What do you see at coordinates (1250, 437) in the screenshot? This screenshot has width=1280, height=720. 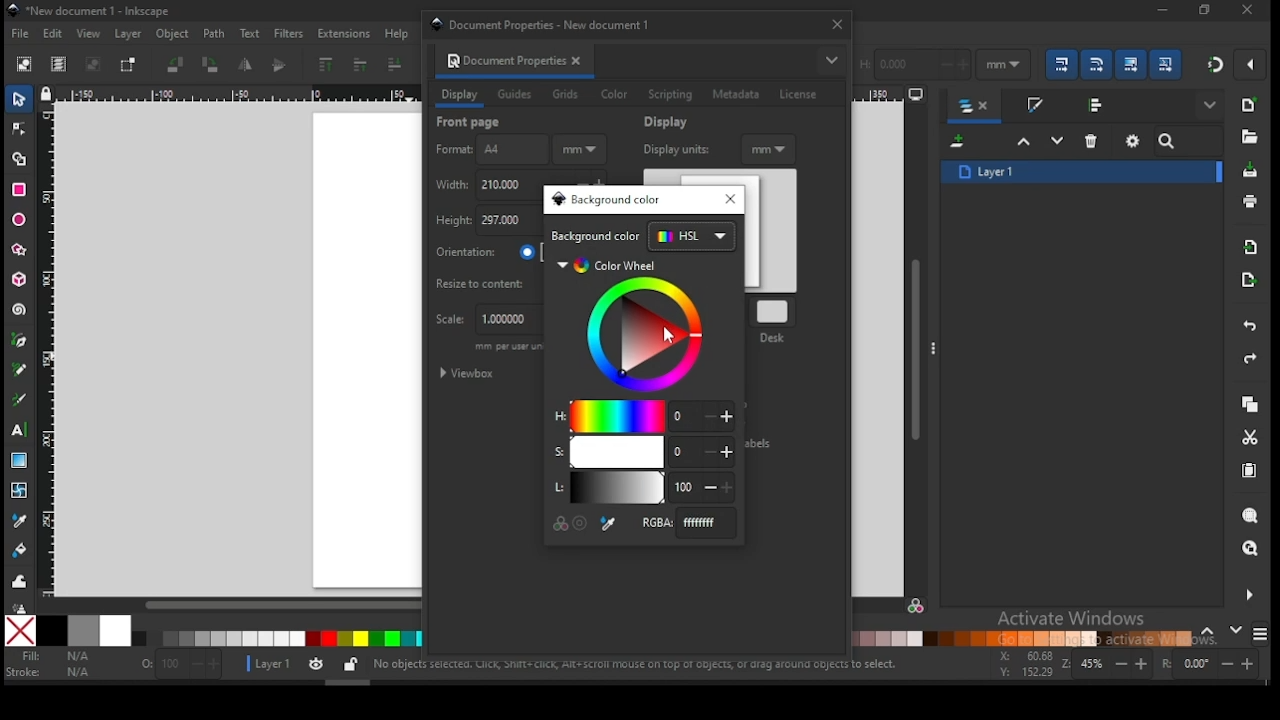 I see `cut` at bounding box center [1250, 437].